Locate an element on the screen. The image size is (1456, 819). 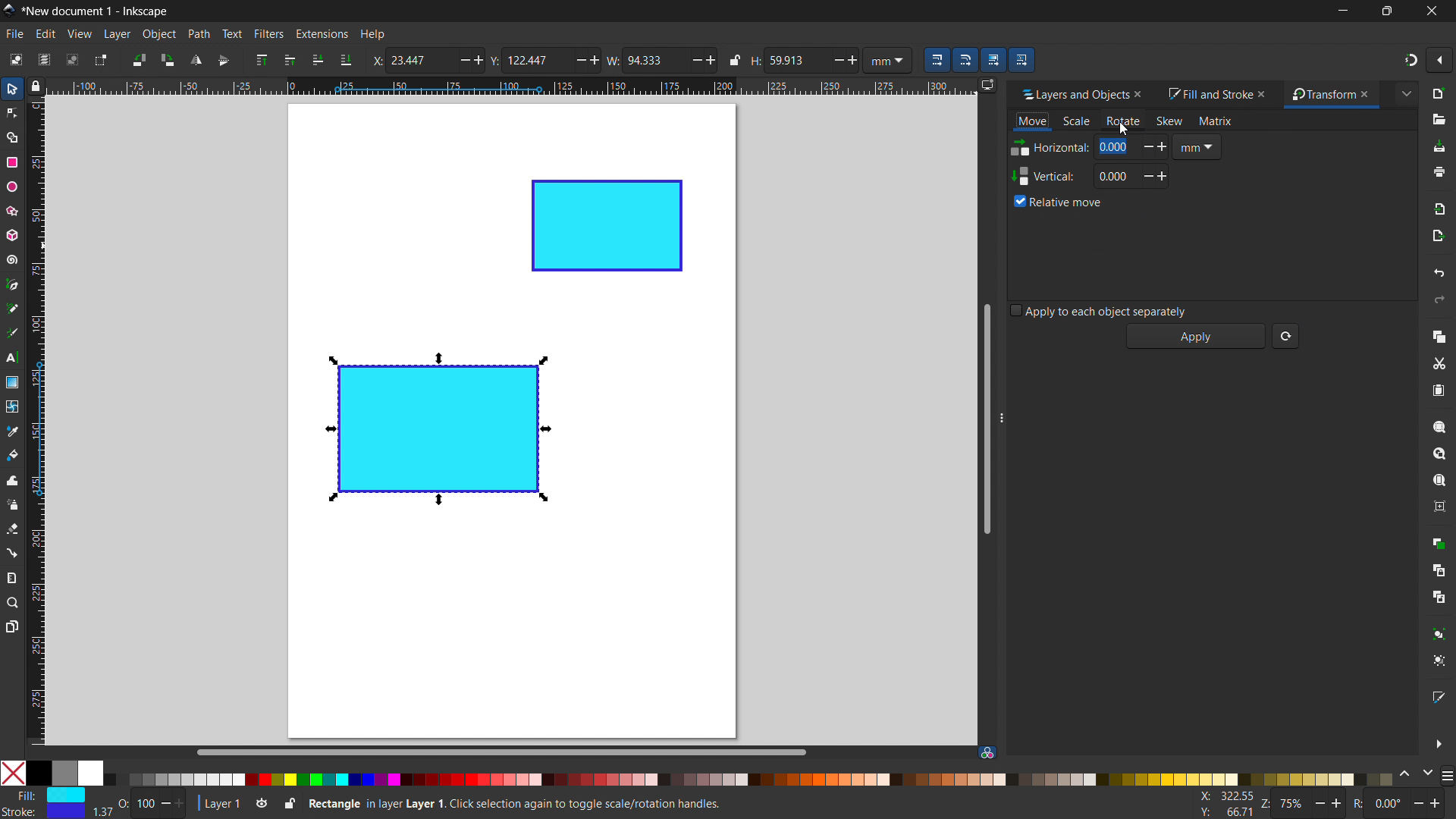
Decrease/ minus is located at coordinates (833, 59).